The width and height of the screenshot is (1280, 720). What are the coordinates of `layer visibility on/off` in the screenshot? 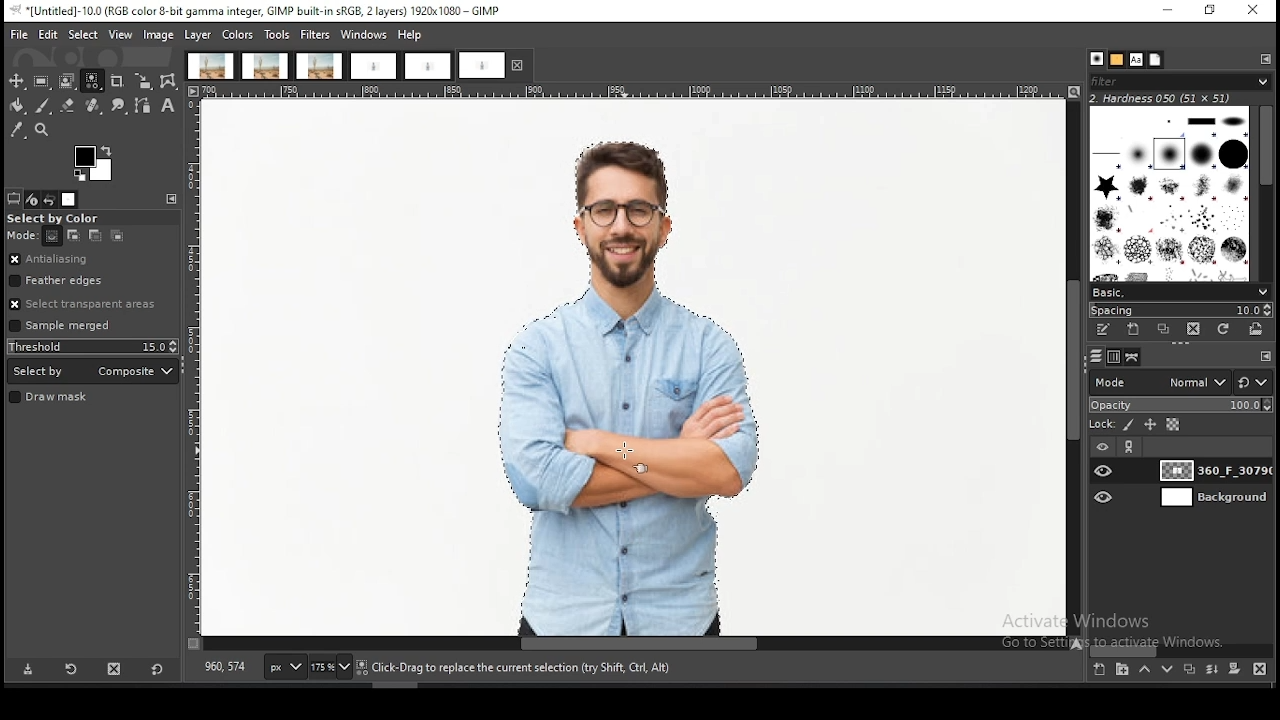 It's located at (1105, 498).